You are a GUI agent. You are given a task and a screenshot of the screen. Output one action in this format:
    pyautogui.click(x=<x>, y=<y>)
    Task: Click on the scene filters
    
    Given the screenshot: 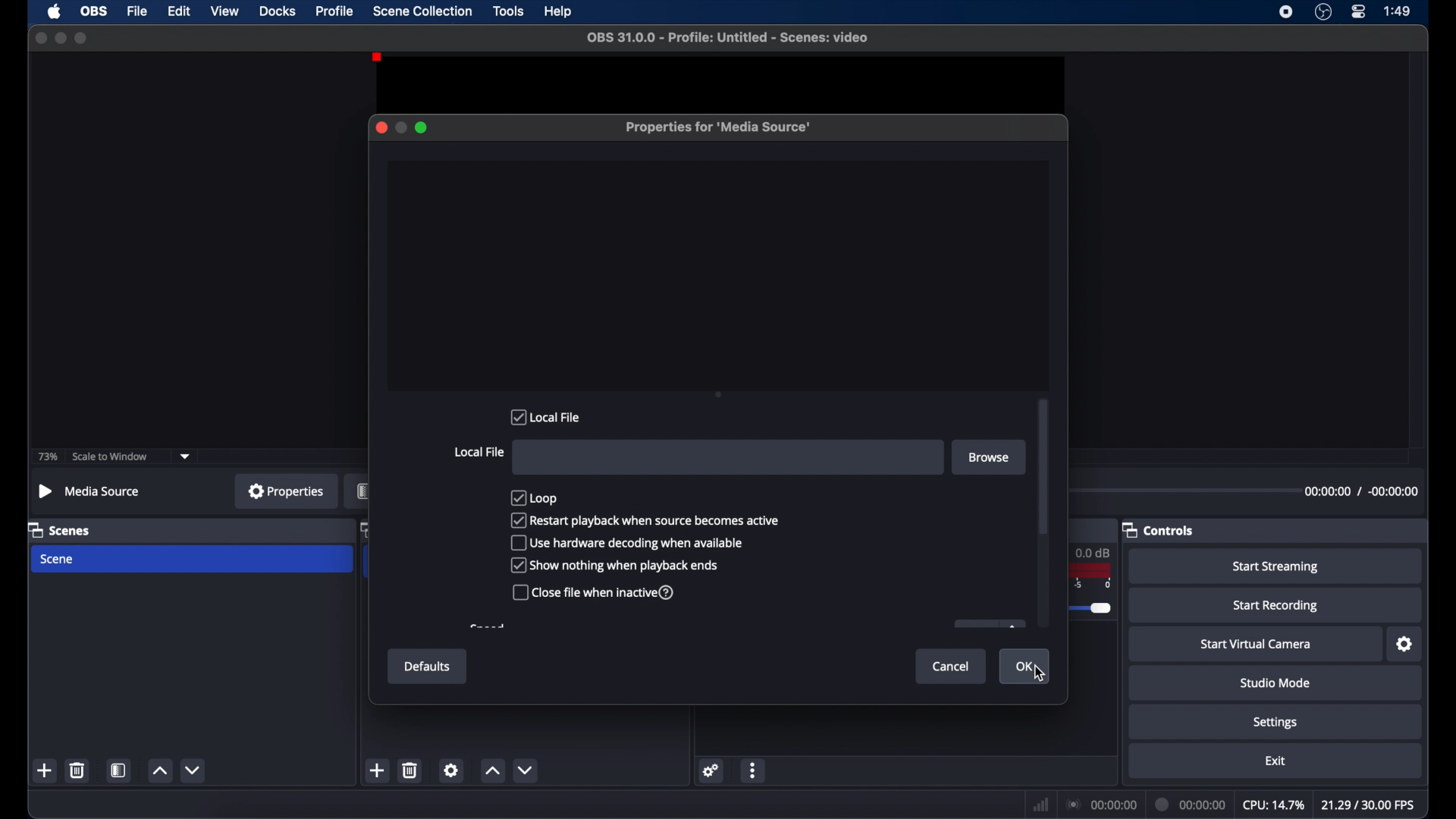 What is the action you would take?
    pyautogui.click(x=119, y=769)
    